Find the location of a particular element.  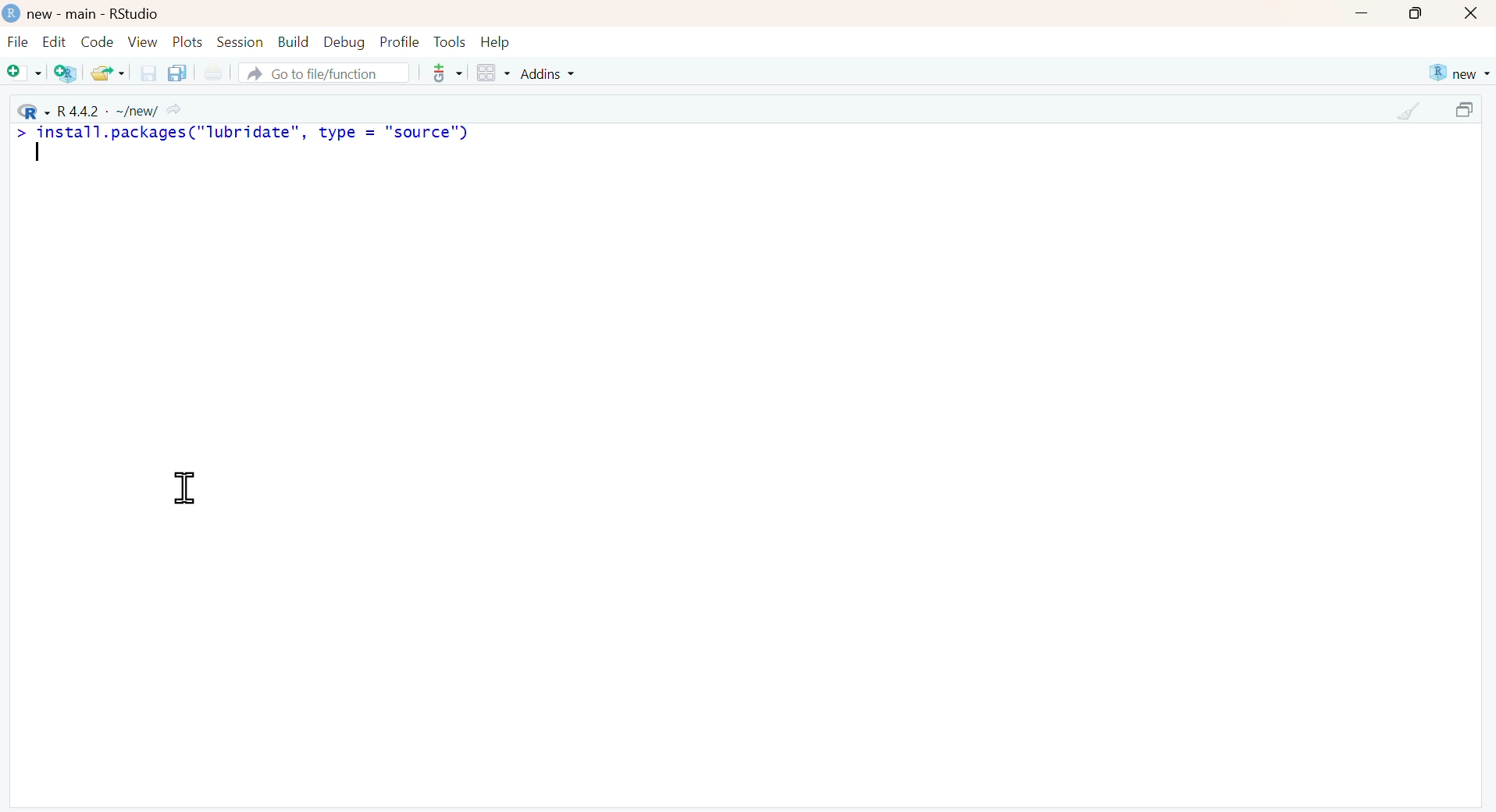

Help is located at coordinates (496, 42).